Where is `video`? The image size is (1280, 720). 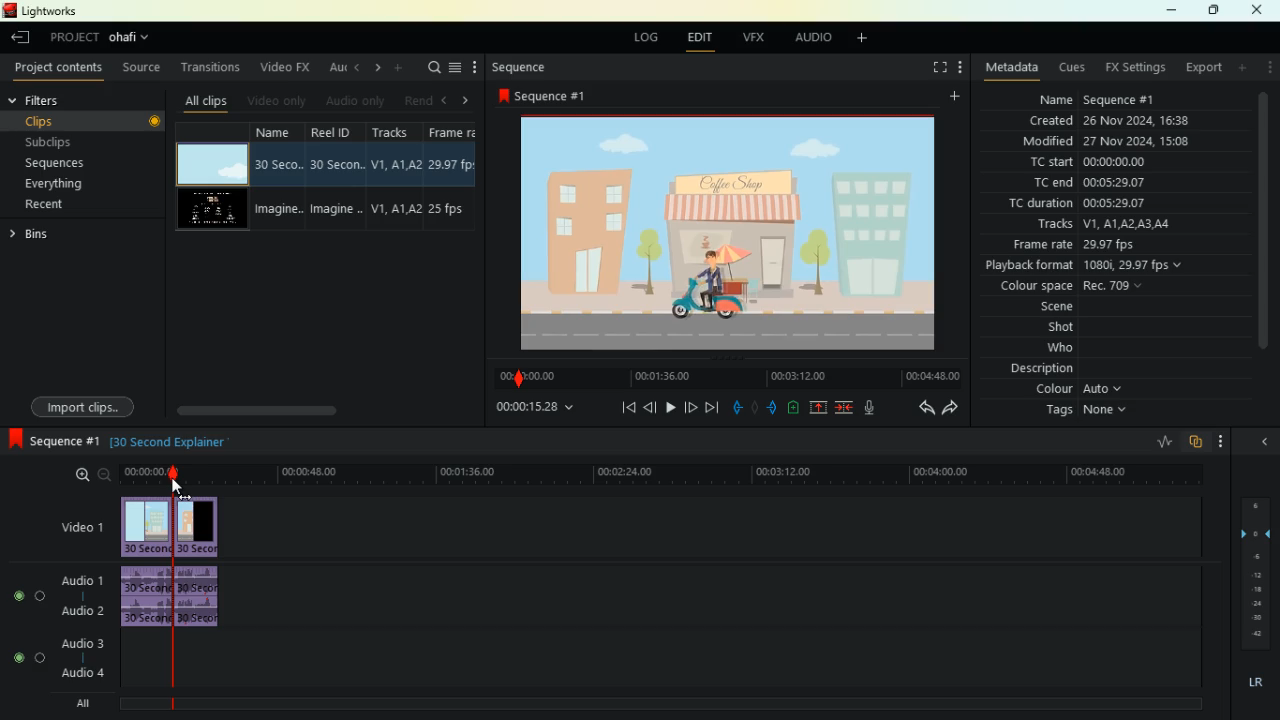 video is located at coordinates (210, 210).